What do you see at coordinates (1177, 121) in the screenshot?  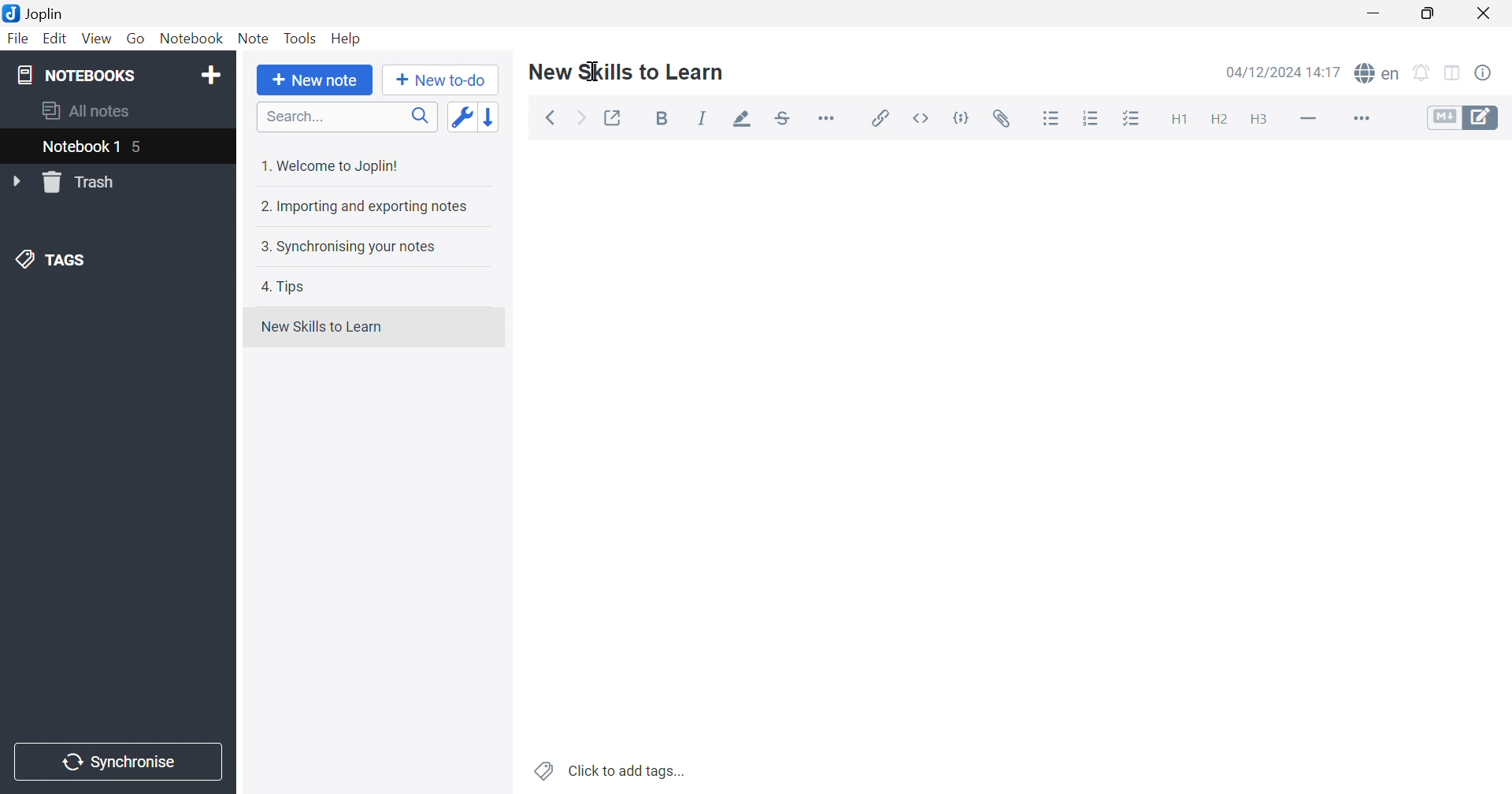 I see `Heading 1` at bounding box center [1177, 121].